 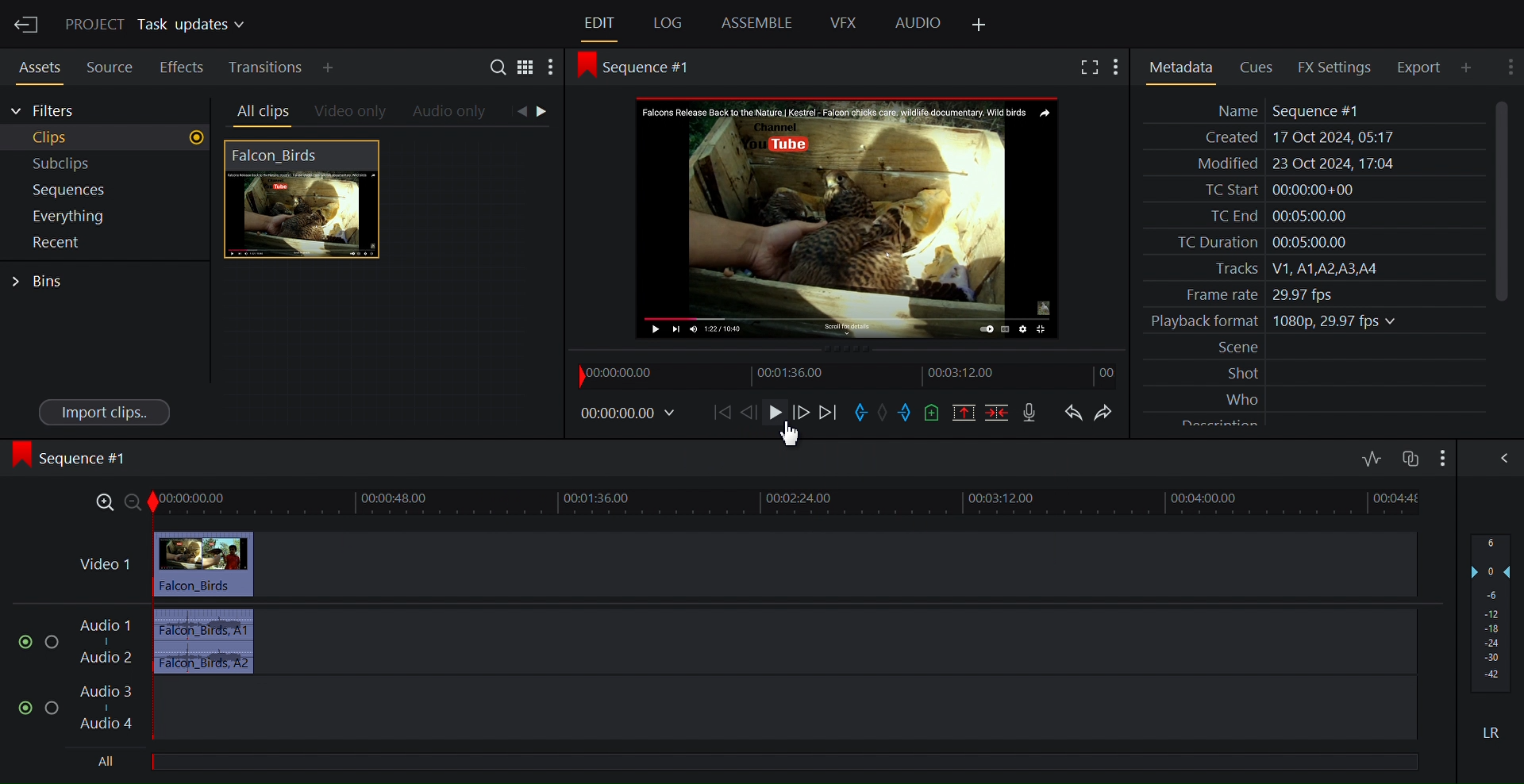 I want to click on Move back, so click(x=725, y=413).